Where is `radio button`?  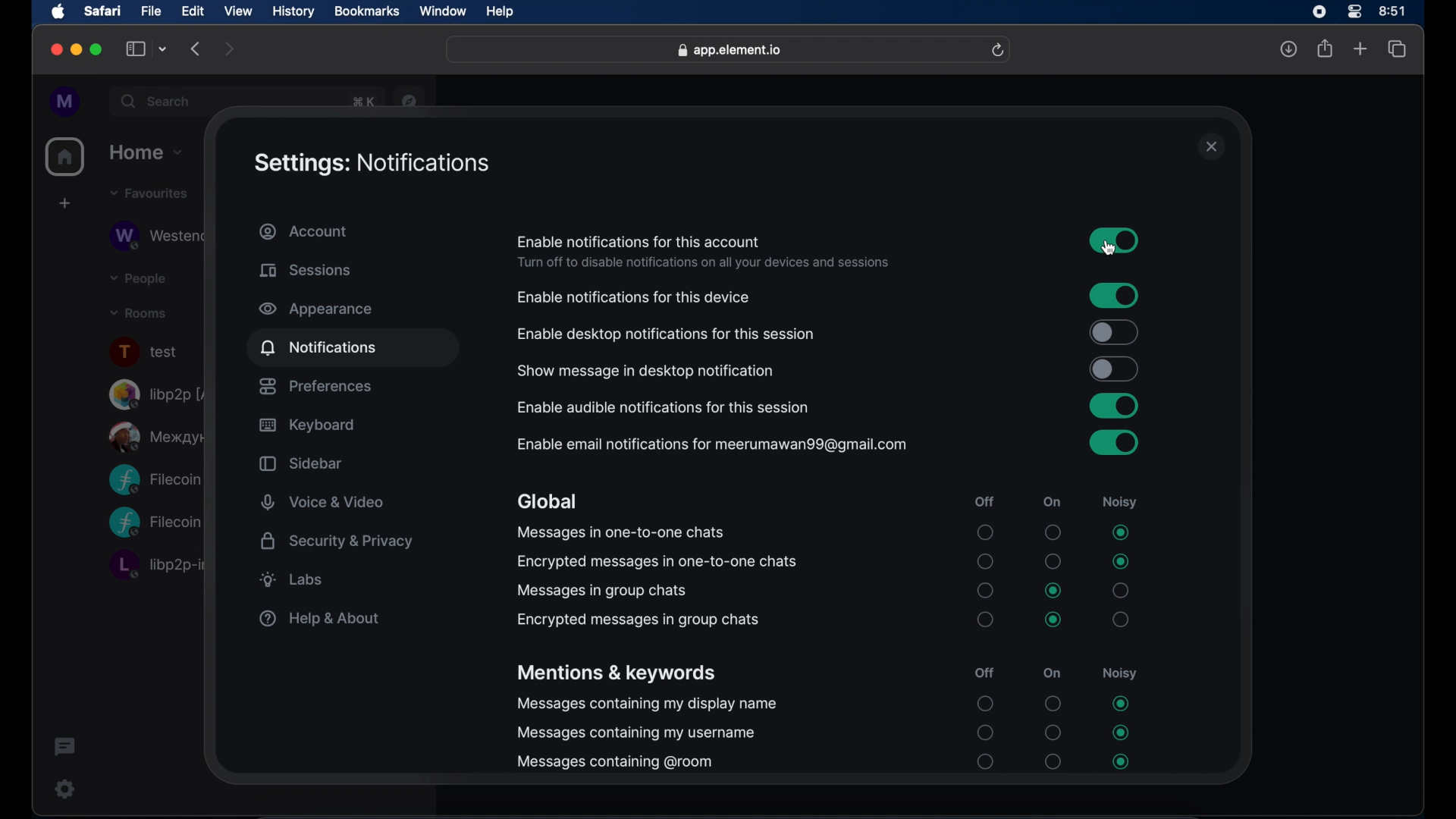
radio button is located at coordinates (985, 532).